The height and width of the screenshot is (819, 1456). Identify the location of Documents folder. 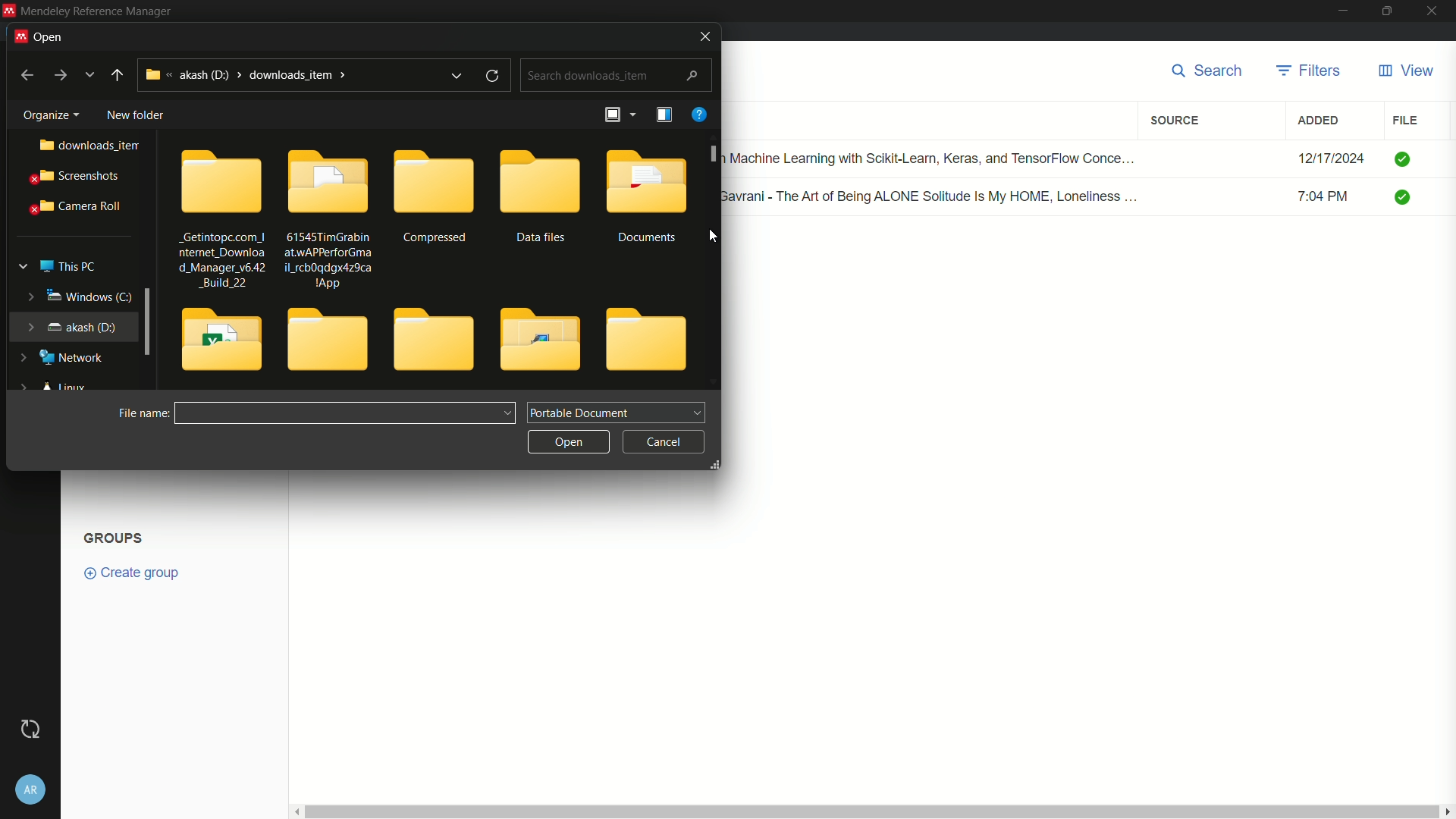
(645, 197).